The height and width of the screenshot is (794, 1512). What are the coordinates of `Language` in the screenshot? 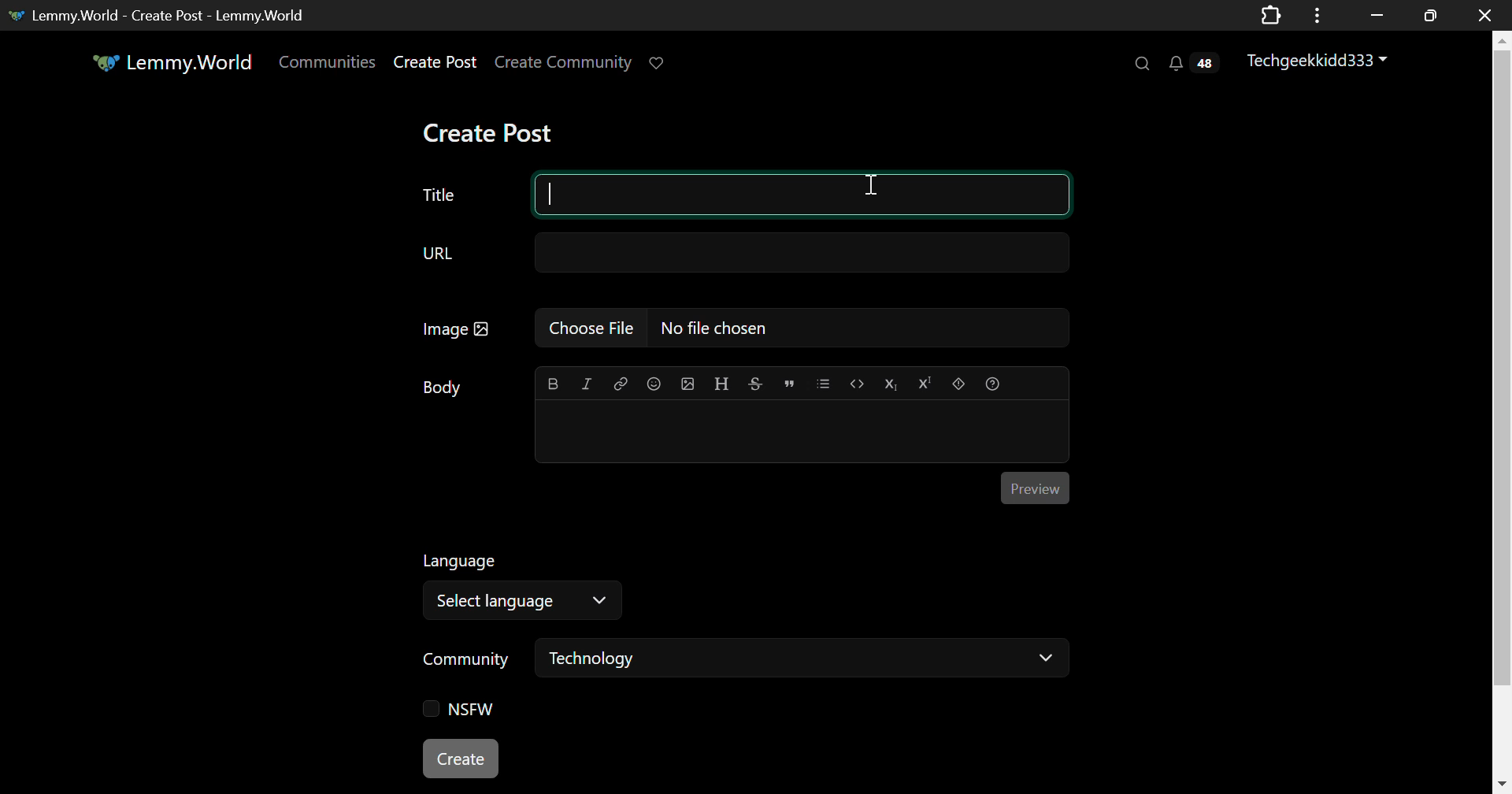 It's located at (459, 559).